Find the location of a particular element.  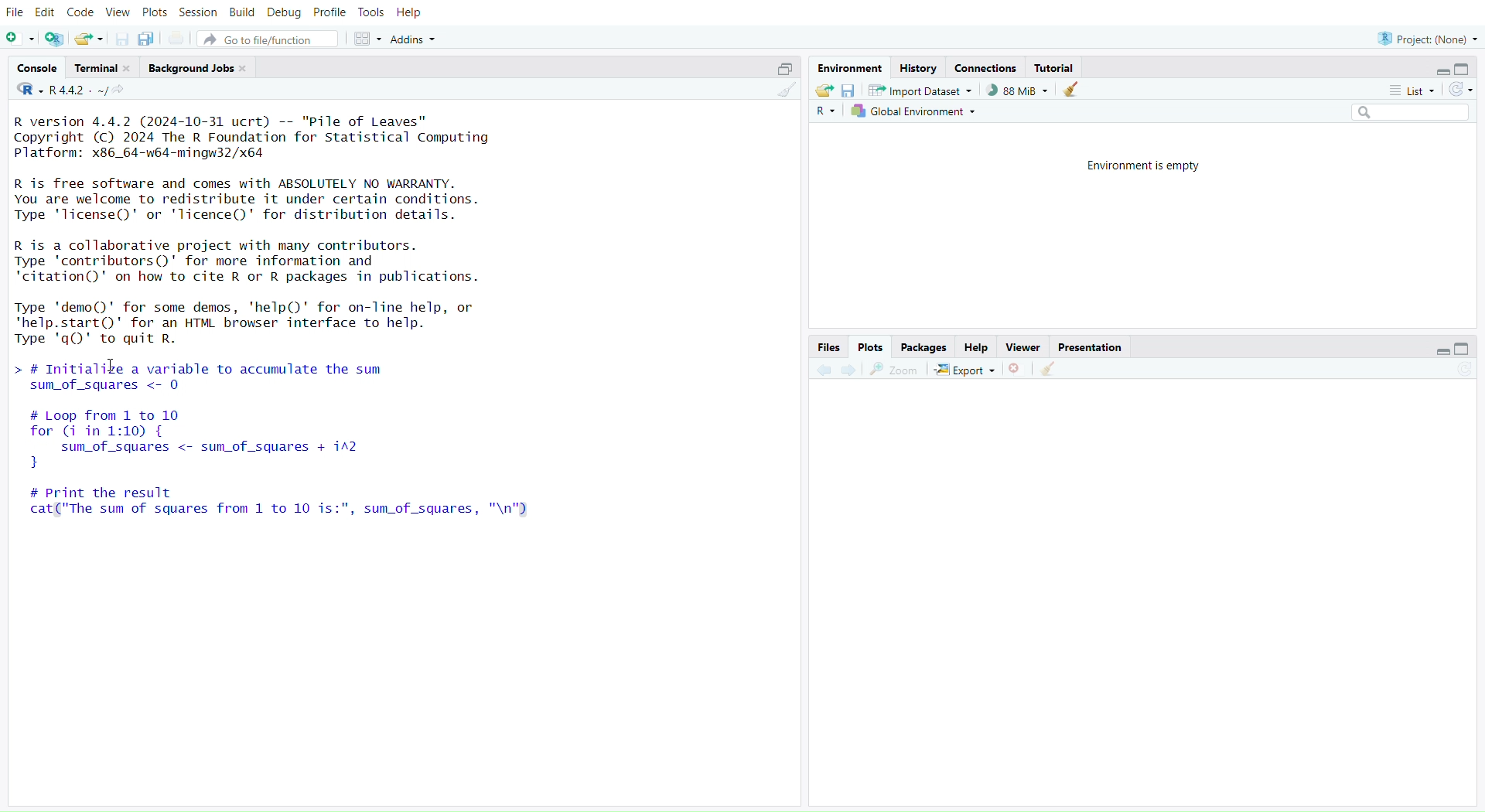

search is located at coordinates (1405, 112).